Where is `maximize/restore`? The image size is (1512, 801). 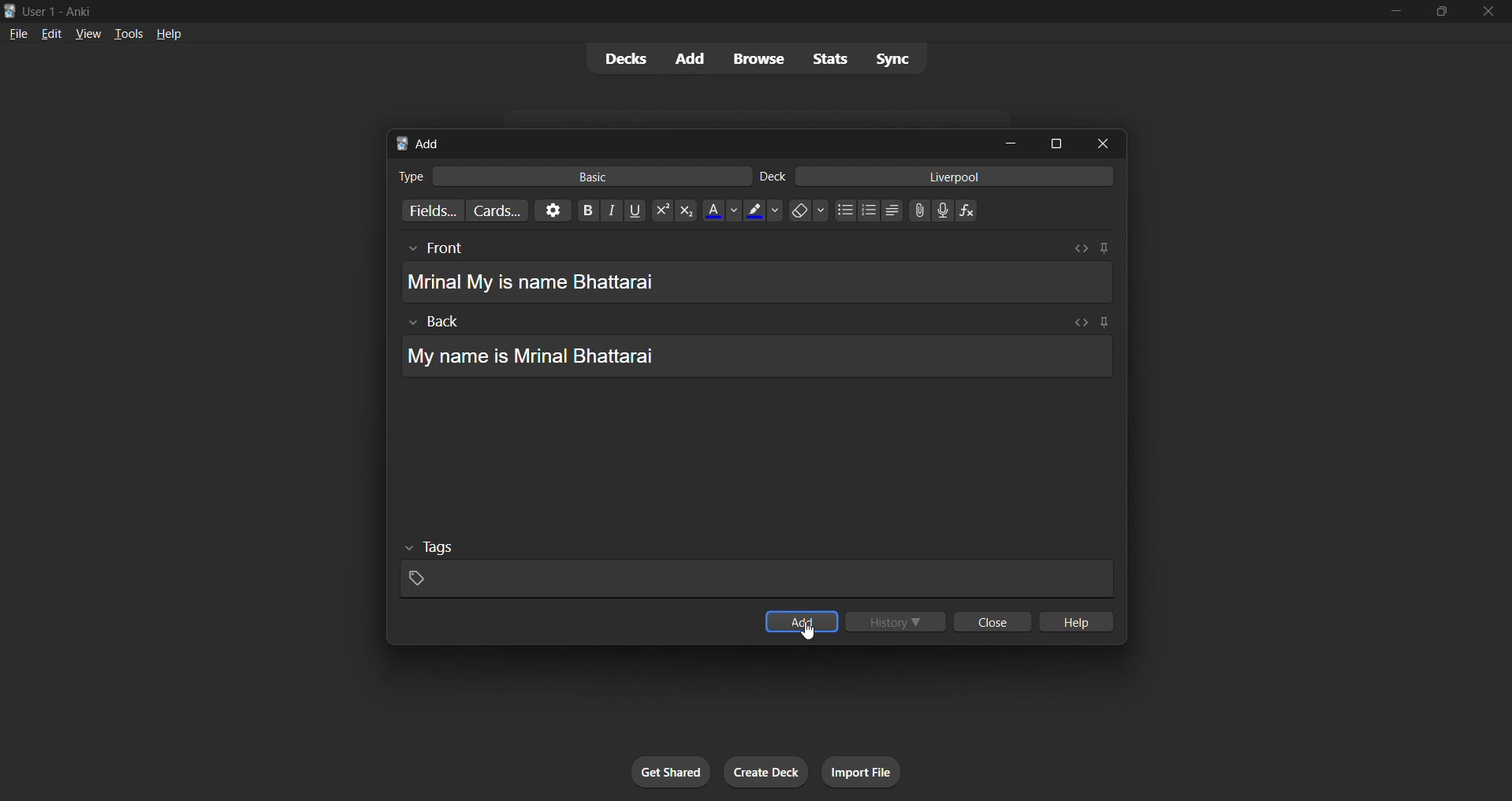
maximize/restore is located at coordinates (1447, 12).